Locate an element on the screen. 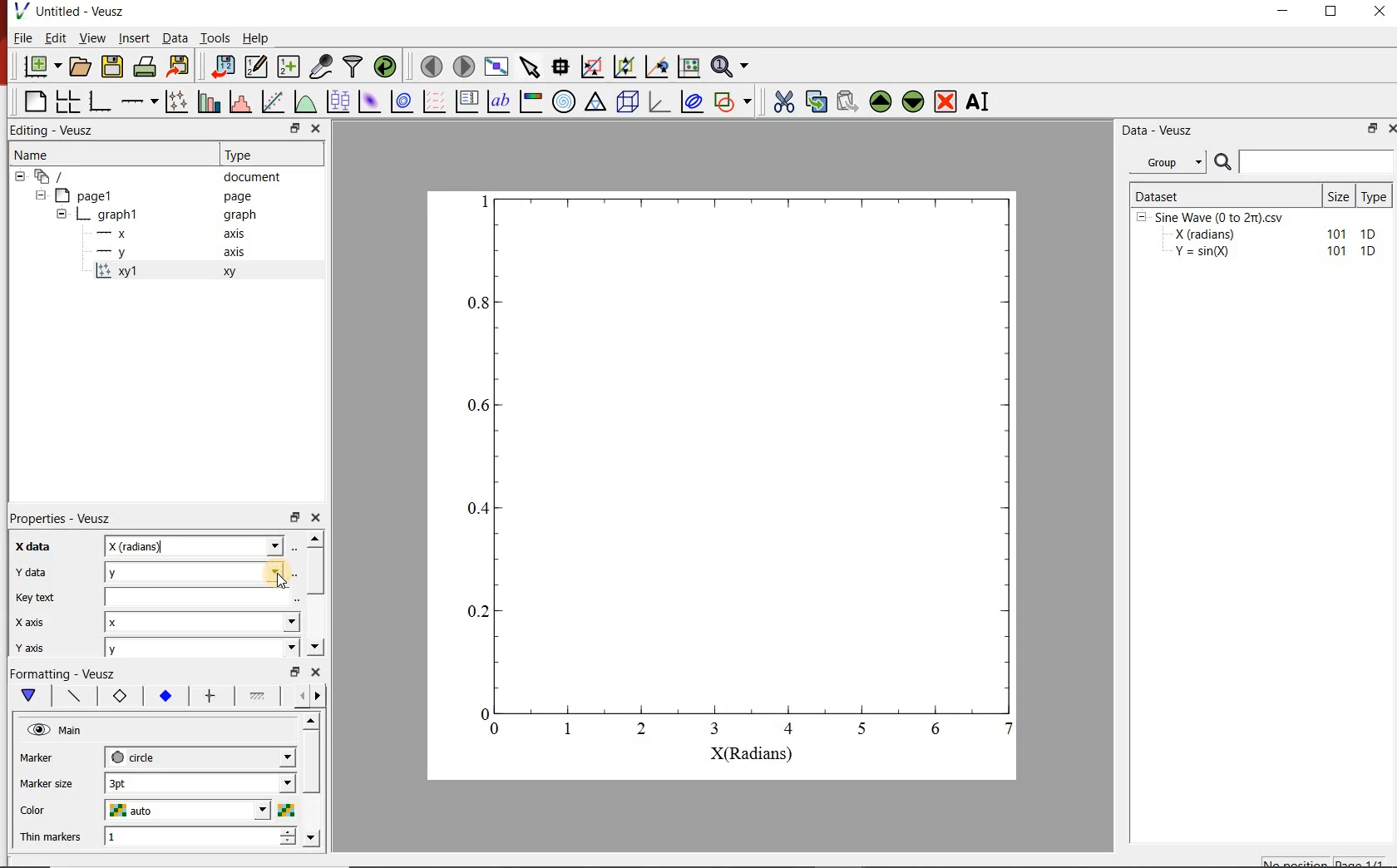 Image resolution: width=1397 pixels, height=868 pixels. no positions is located at coordinates (1325, 861).